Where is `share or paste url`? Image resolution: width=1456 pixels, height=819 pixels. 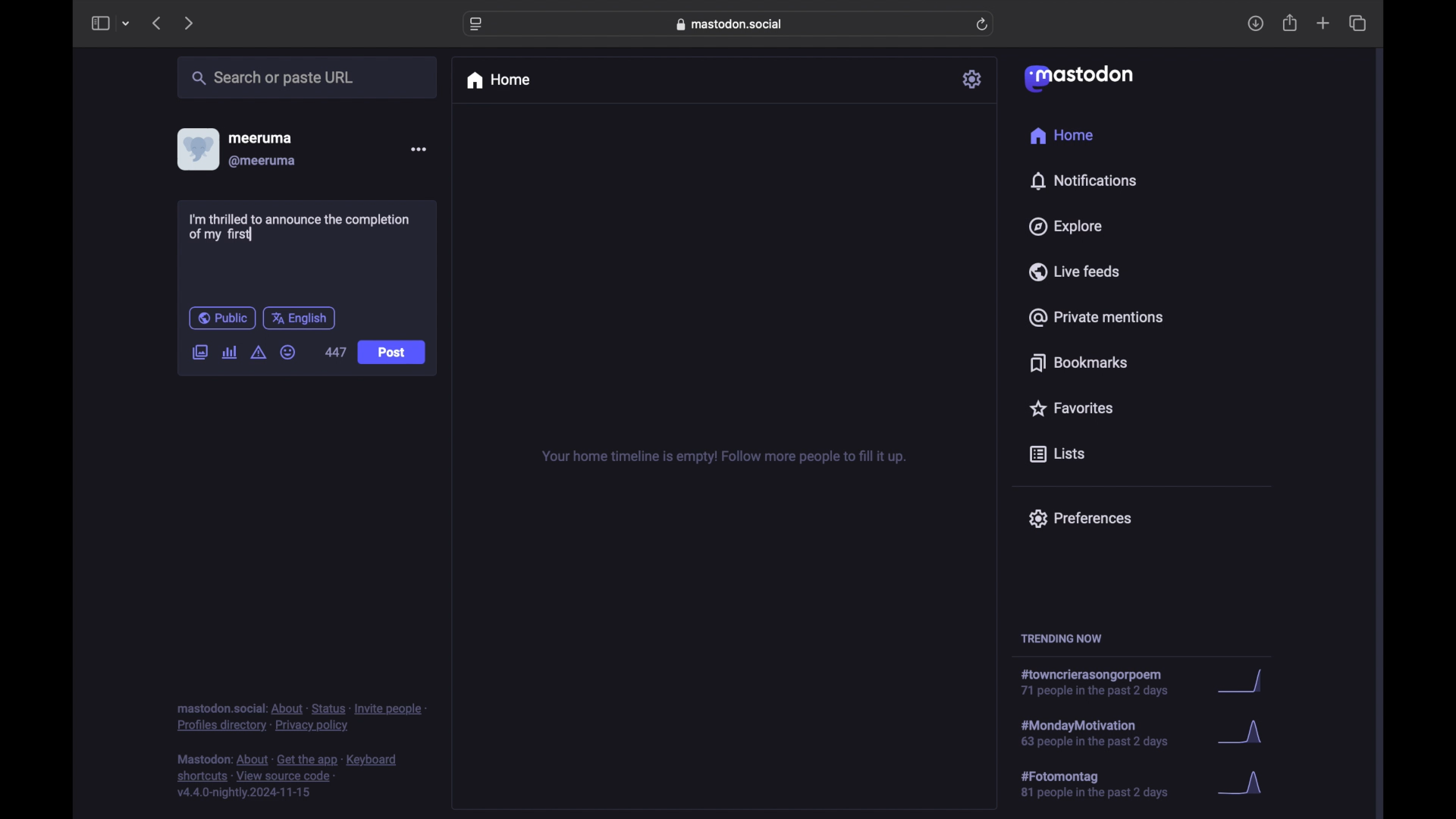
share or paste url is located at coordinates (273, 77).